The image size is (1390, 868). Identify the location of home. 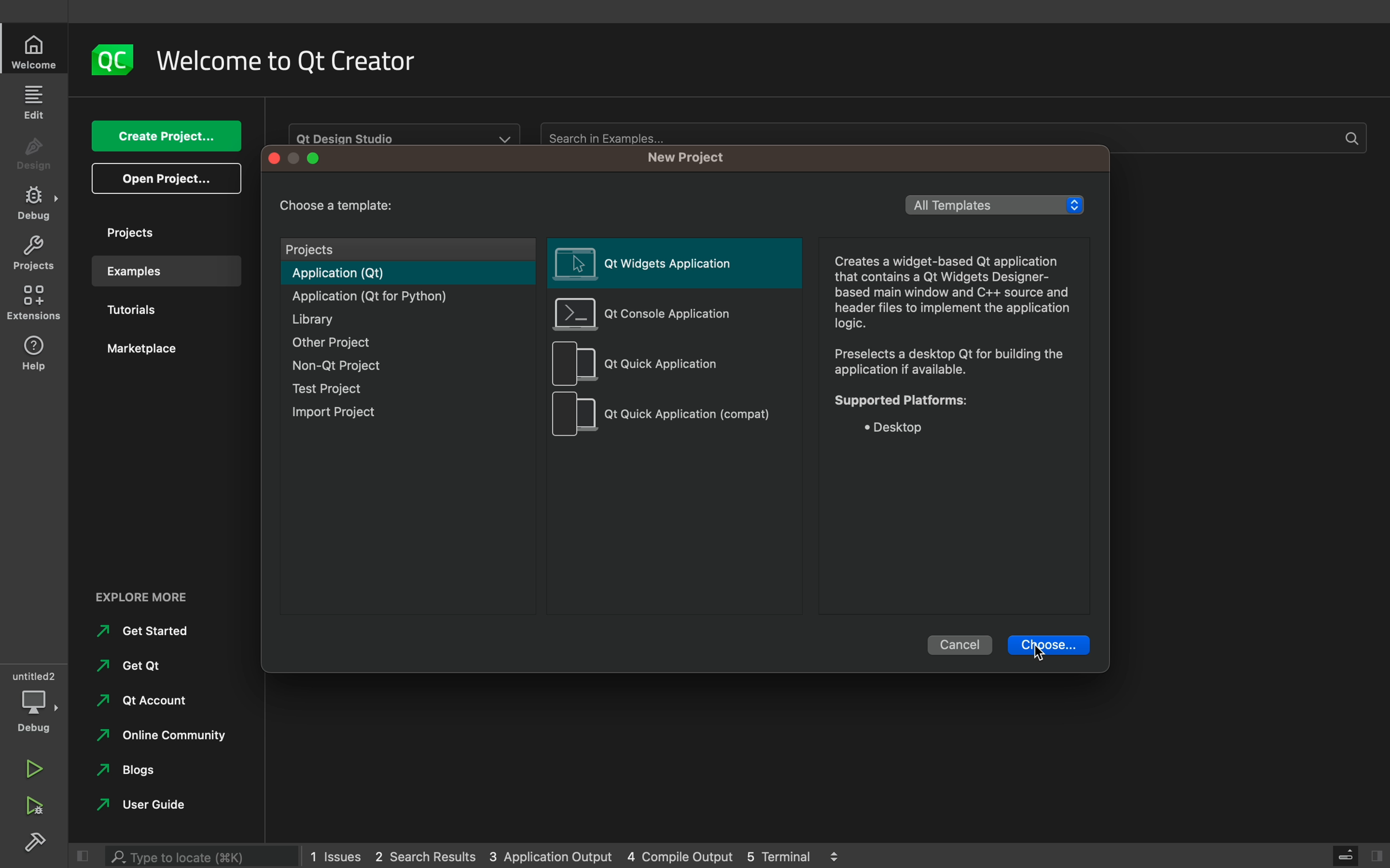
(36, 52).